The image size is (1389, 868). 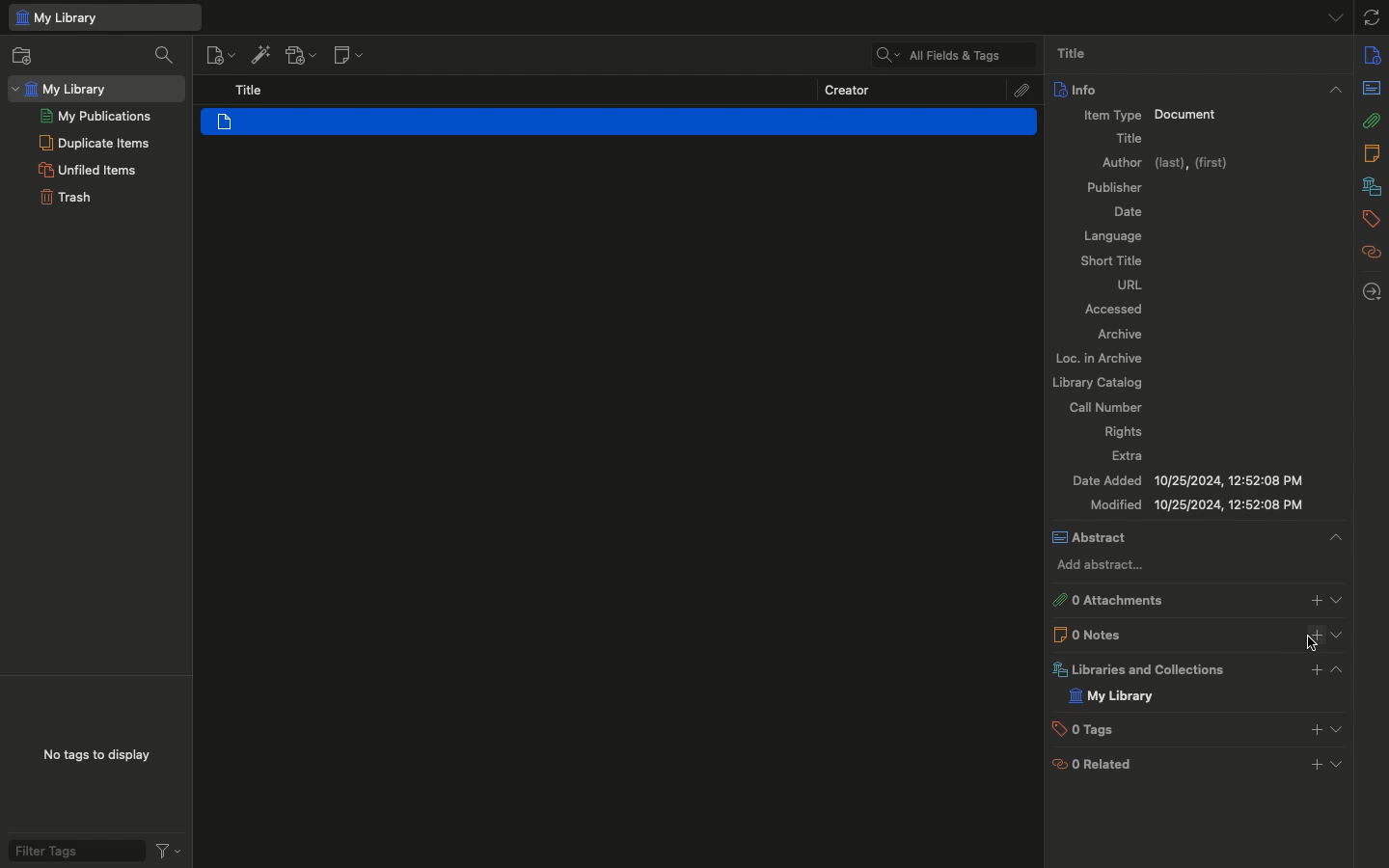 What do you see at coordinates (850, 90) in the screenshot?
I see `Create` at bounding box center [850, 90].